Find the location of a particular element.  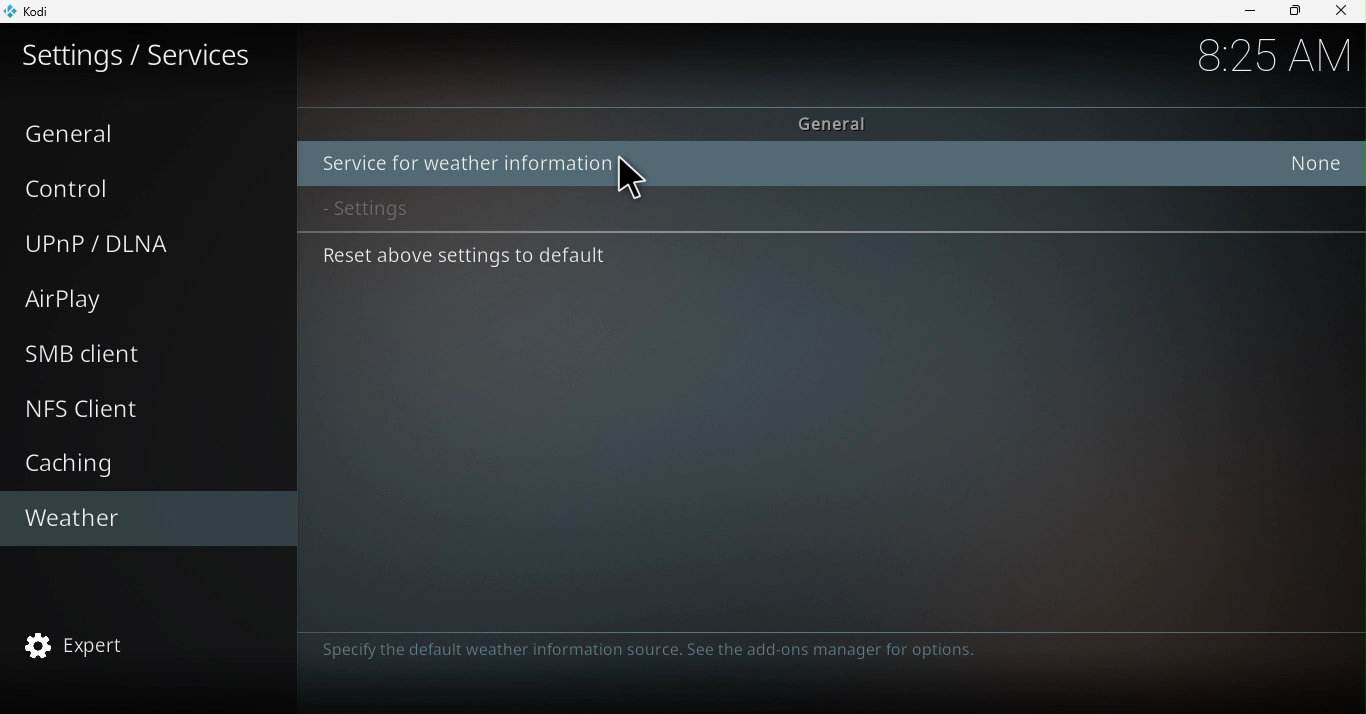

SMB client is located at coordinates (155, 354).